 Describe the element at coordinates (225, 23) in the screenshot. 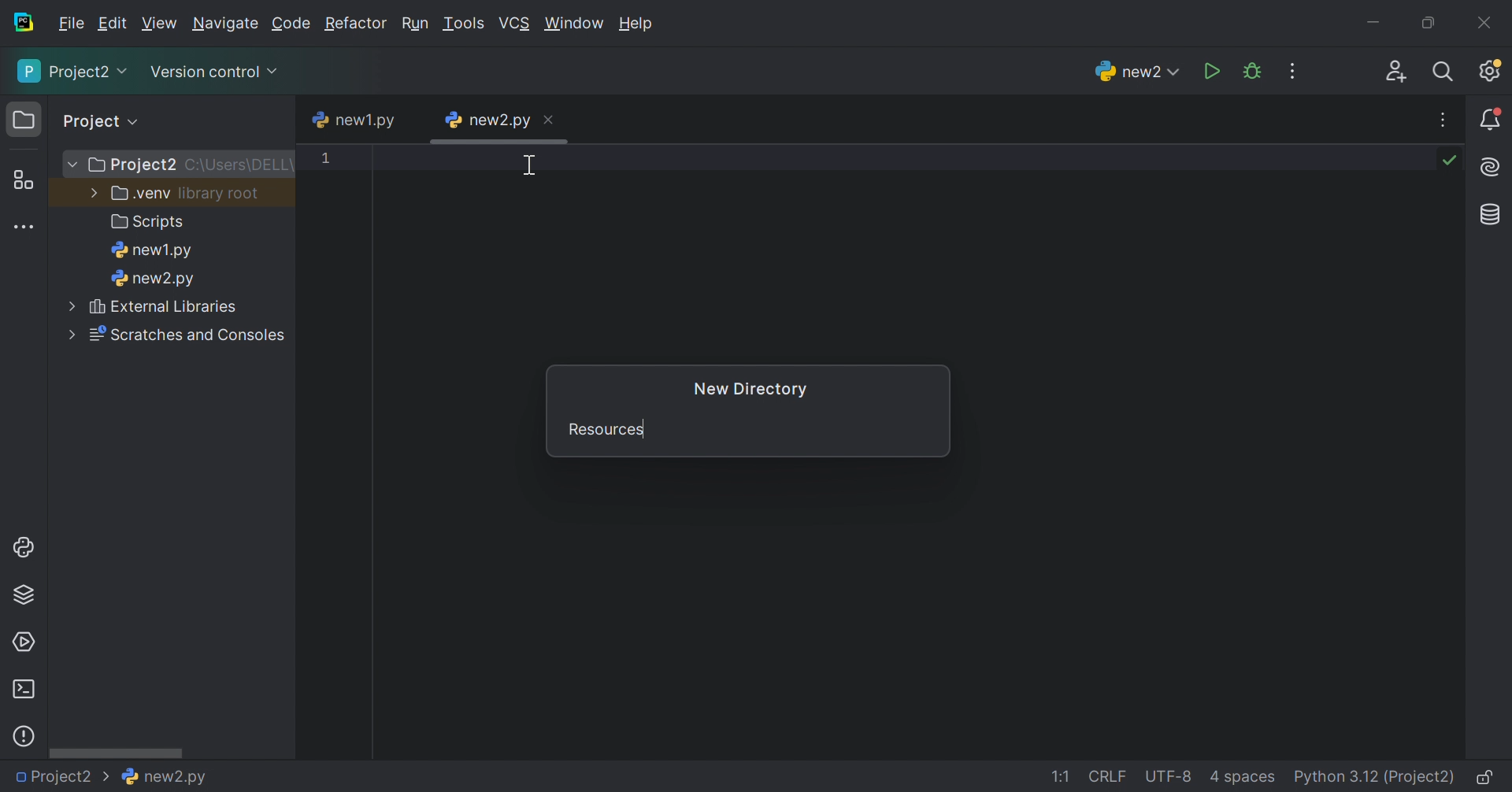

I see `Navigate` at that location.